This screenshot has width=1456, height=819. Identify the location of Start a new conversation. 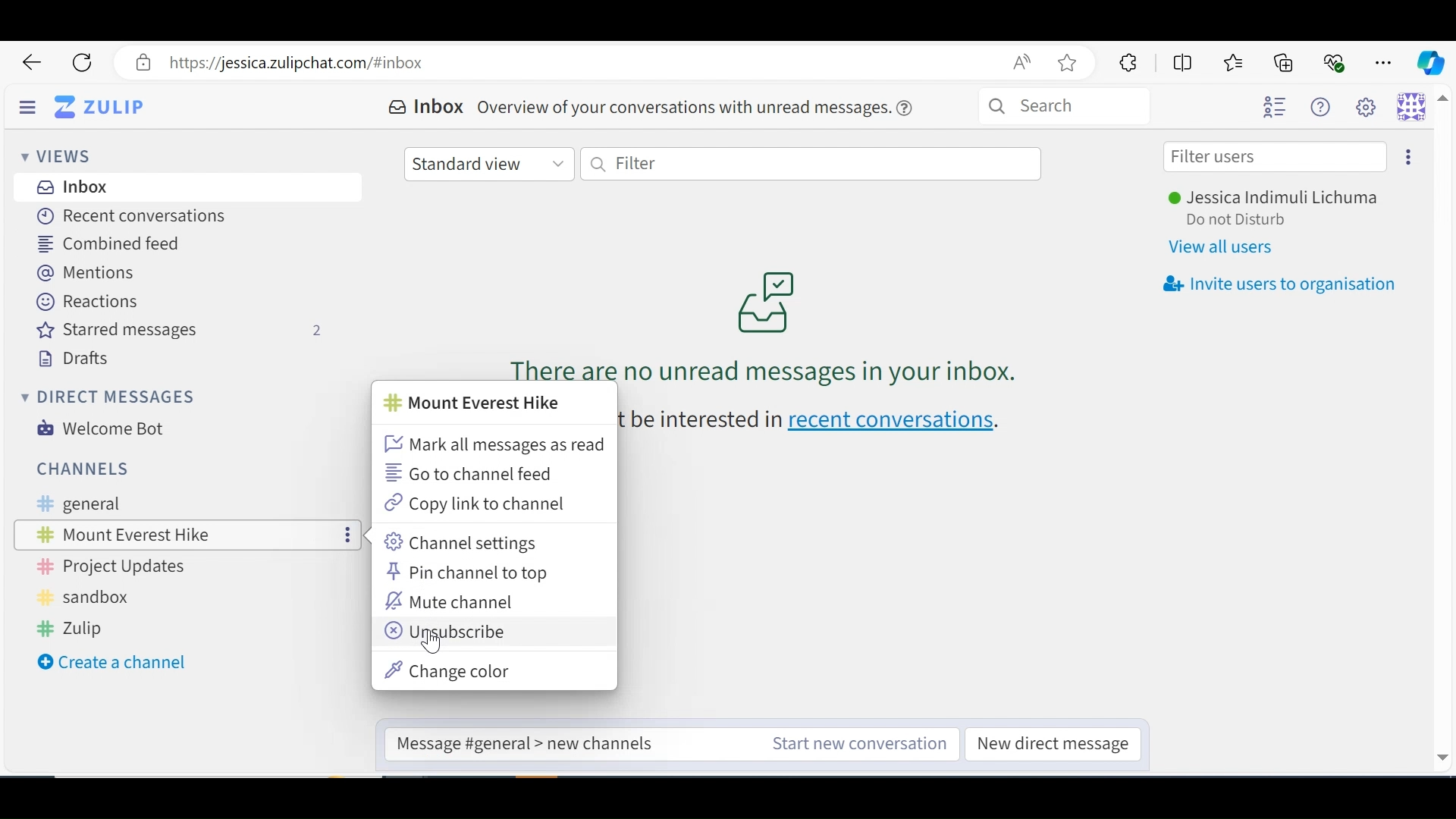
(855, 744).